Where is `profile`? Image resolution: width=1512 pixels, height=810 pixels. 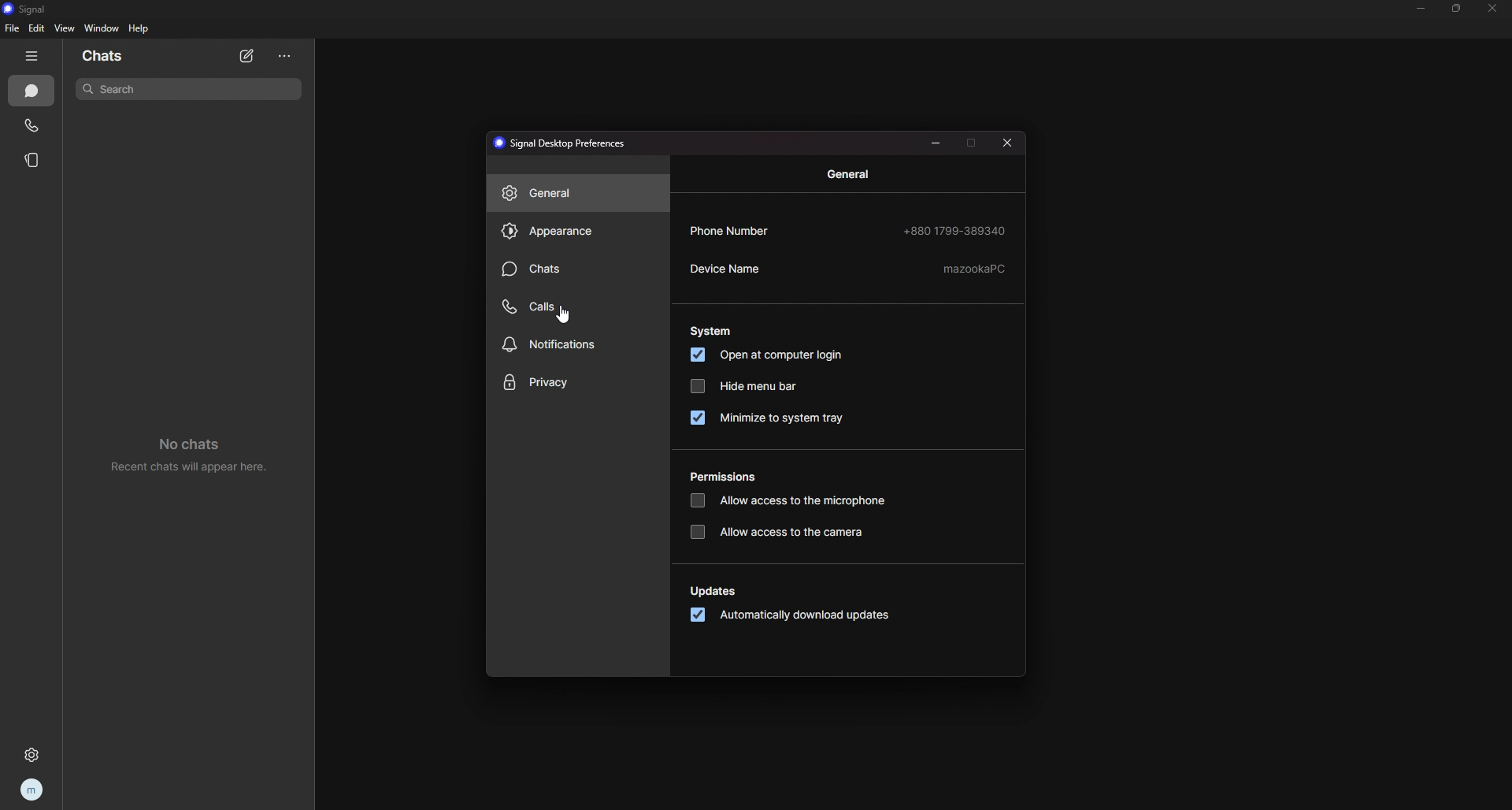 profile is located at coordinates (30, 790).